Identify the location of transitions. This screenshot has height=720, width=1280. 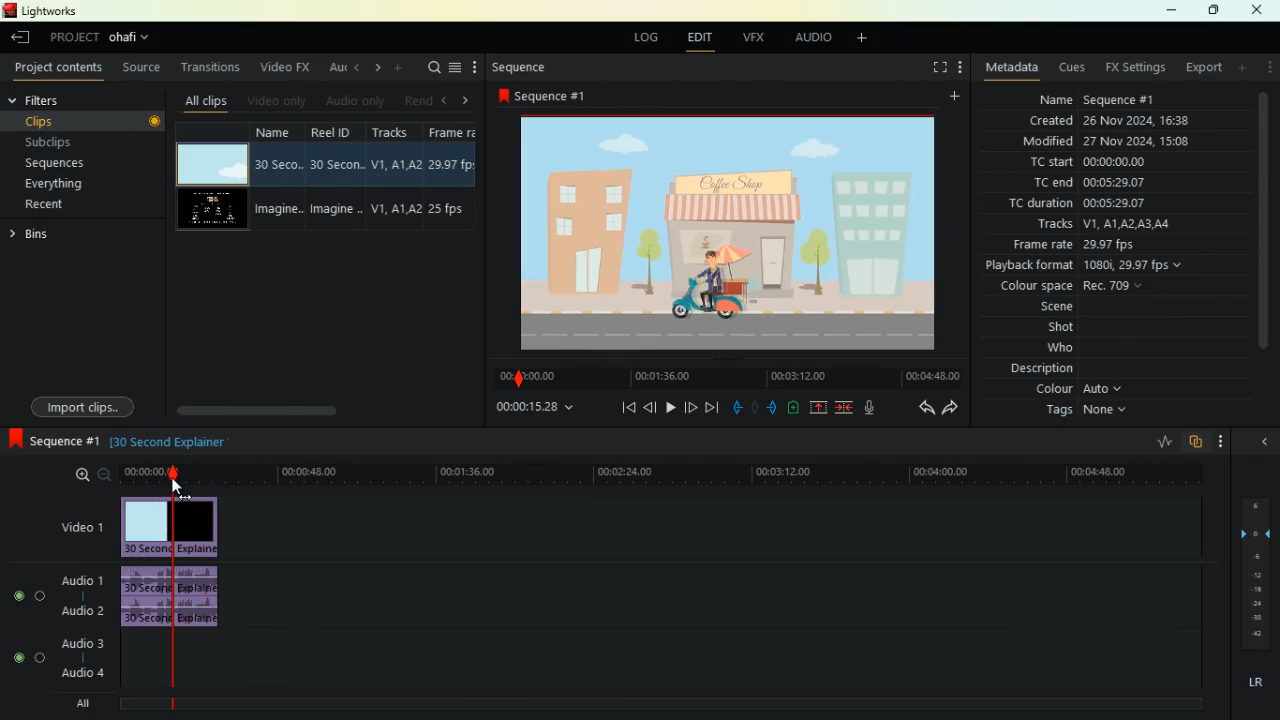
(213, 67).